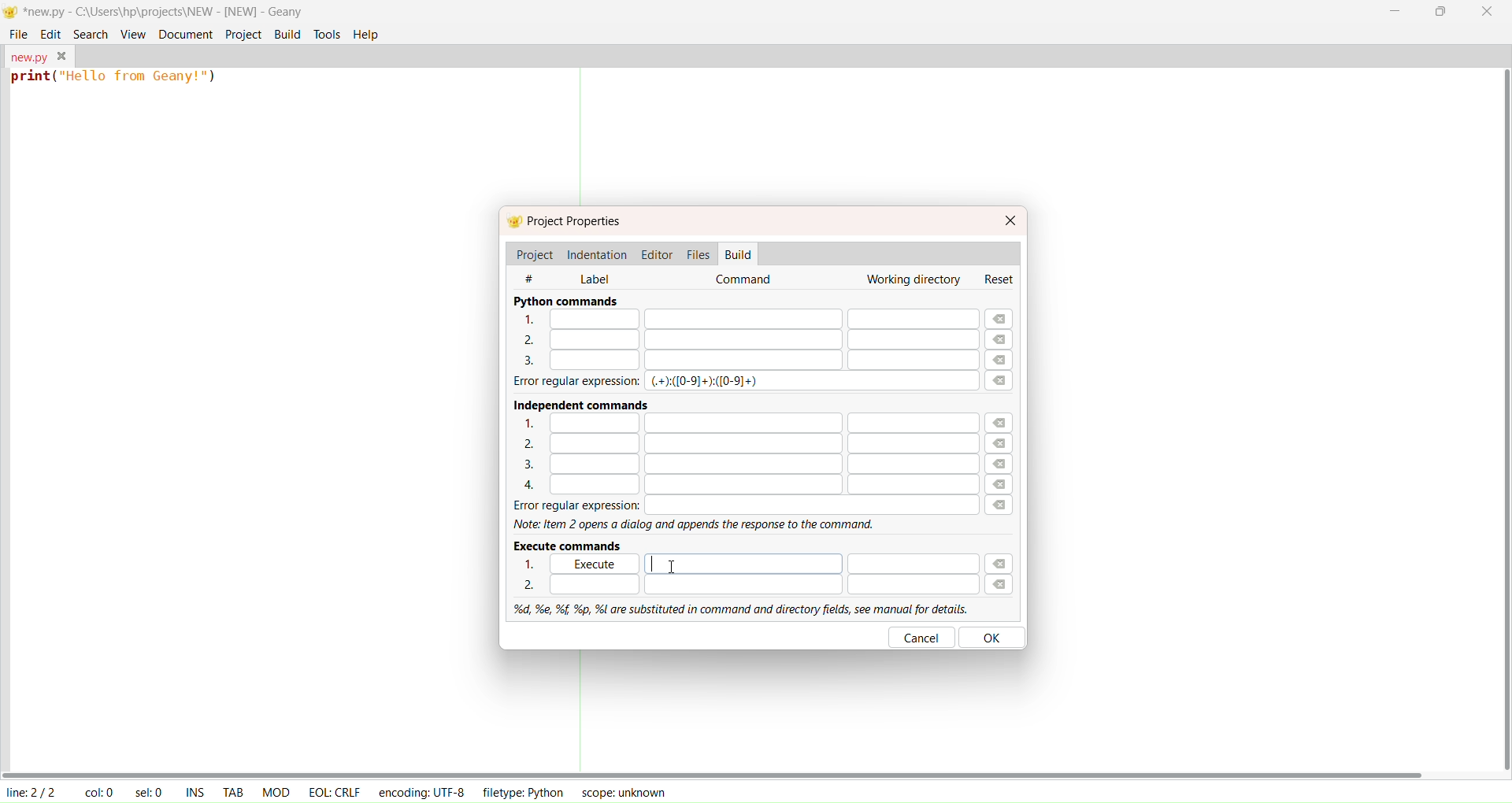 The height and width of the screenshot is (803, 1512). I want to click on maximize, so click(1439, 14).